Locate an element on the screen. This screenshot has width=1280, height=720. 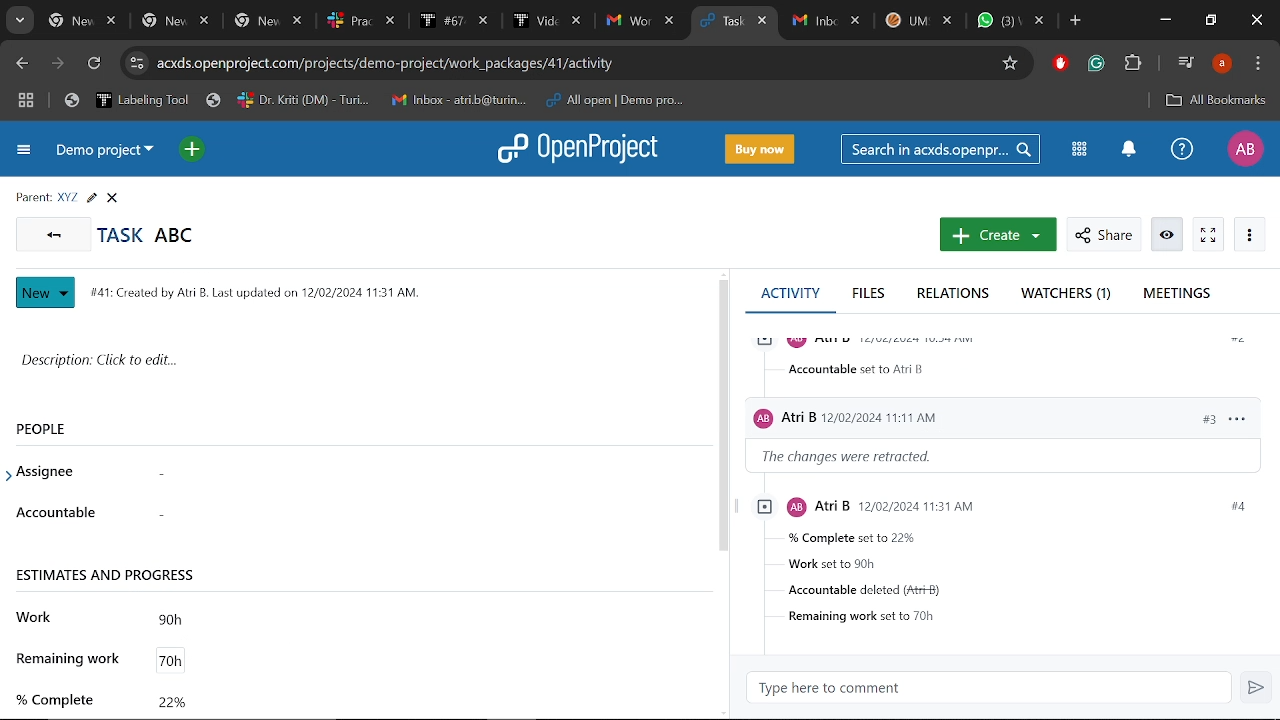
Accountable is located at coordinates (407, 519).